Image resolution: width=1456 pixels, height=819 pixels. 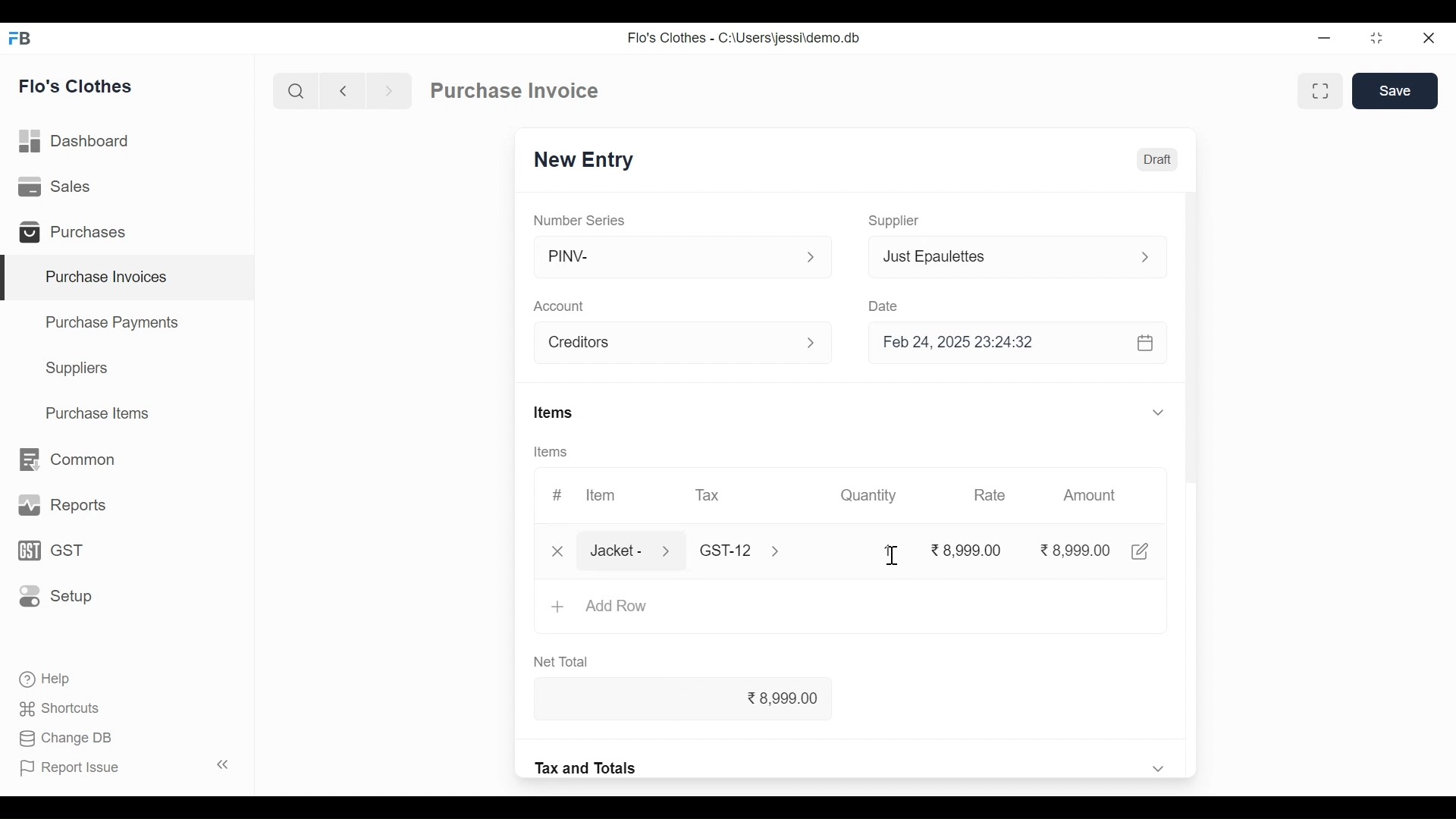 I want to click on Flo's Clothes, so click(x=78, y=86).